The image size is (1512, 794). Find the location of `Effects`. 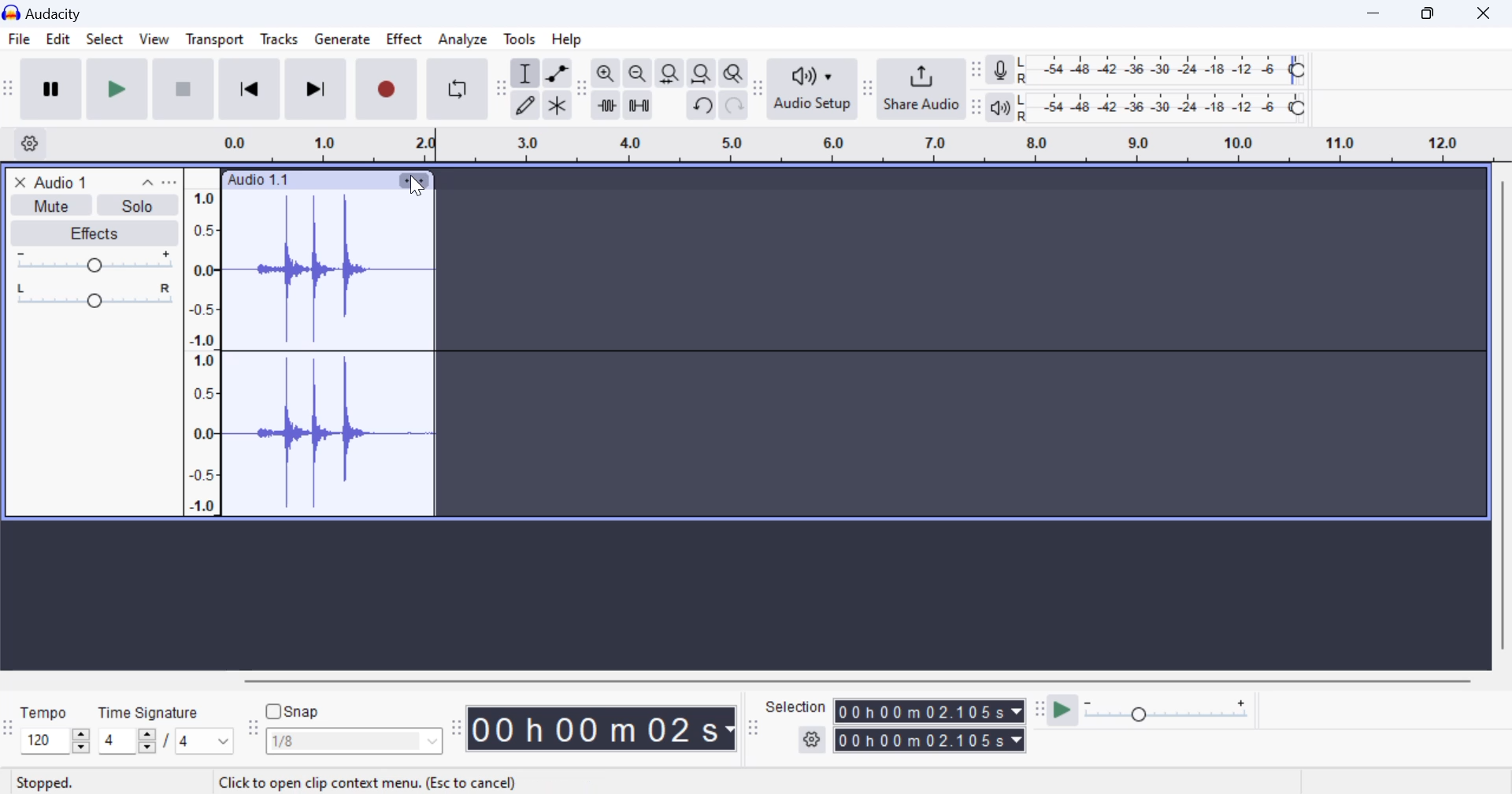

Effects is located at coordinates (93, 233).